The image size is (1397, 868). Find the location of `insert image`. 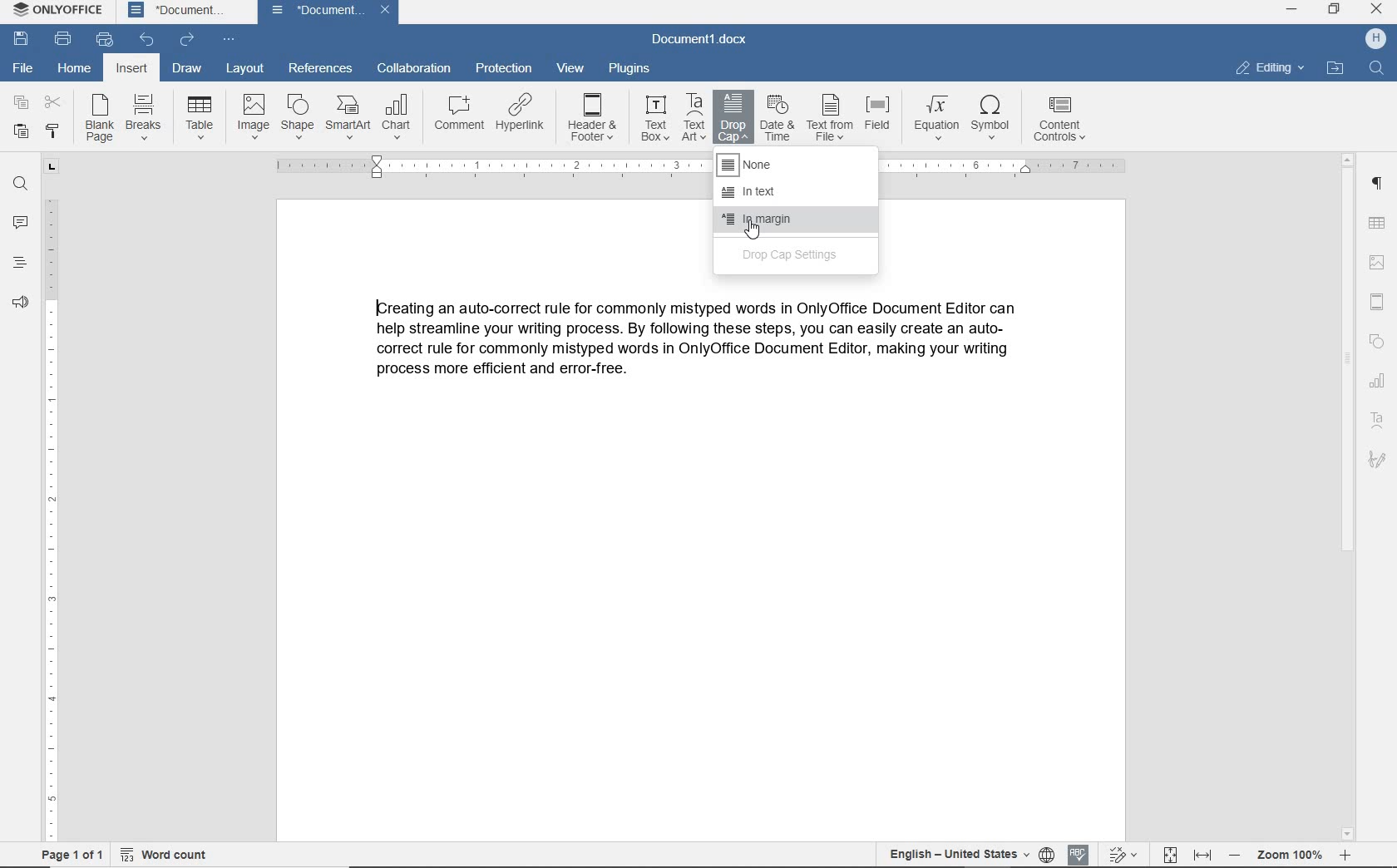

insert image is located at coordinates (1380, 261).